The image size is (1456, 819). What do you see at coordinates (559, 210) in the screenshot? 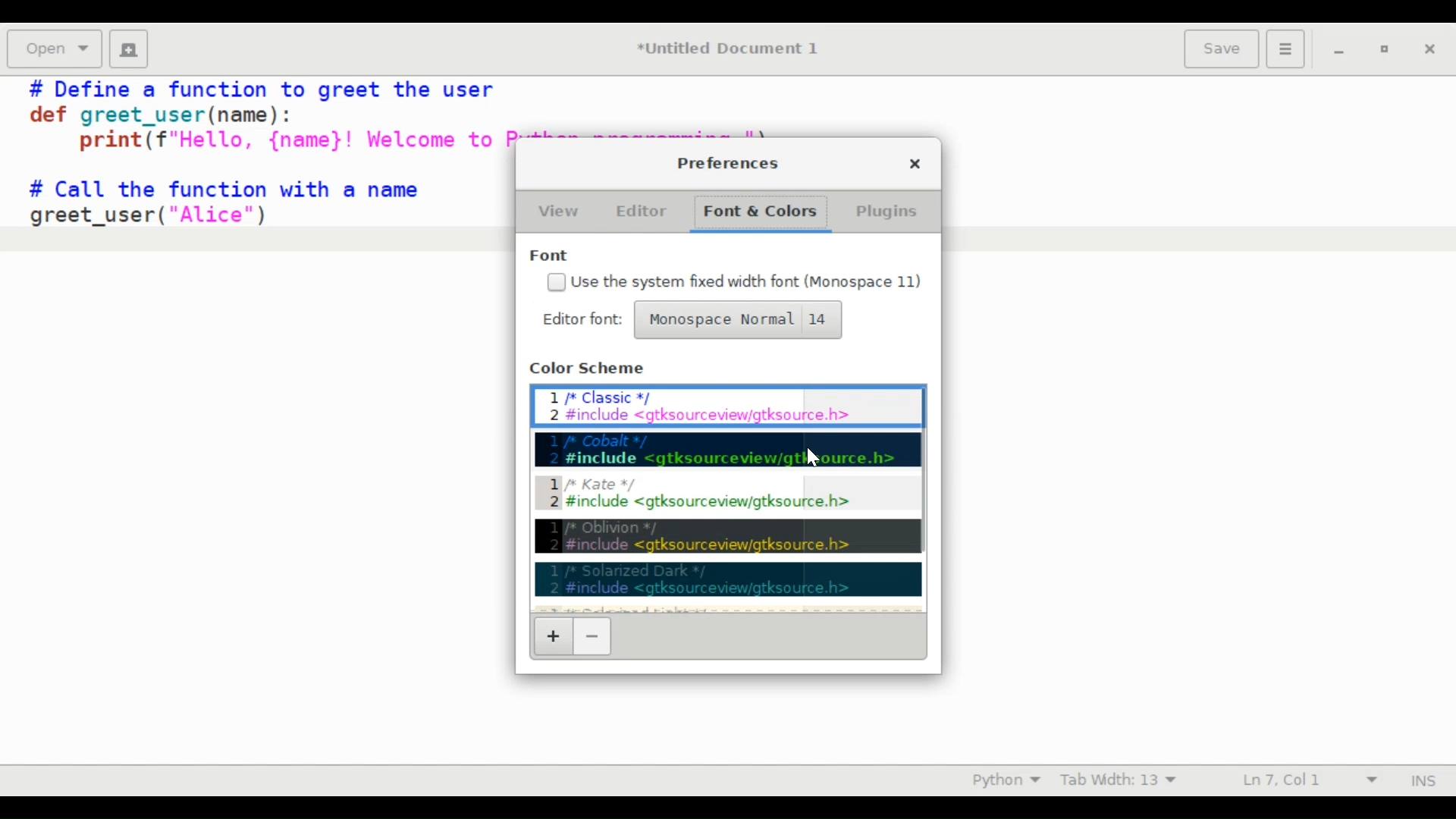
I see `View` at bounding box center [559, 210].